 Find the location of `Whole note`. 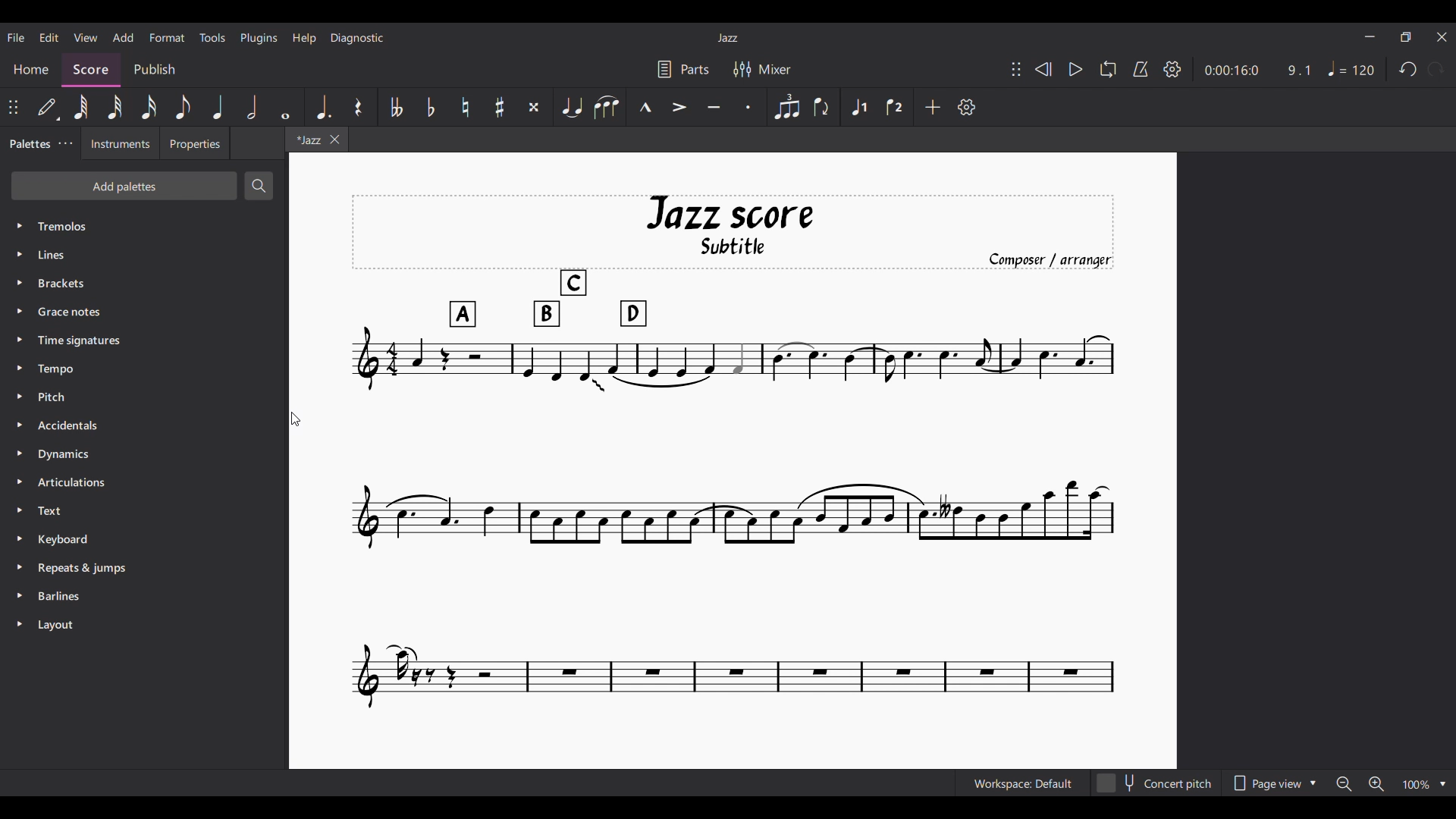

Whole note is located at coordinates (286, 108).